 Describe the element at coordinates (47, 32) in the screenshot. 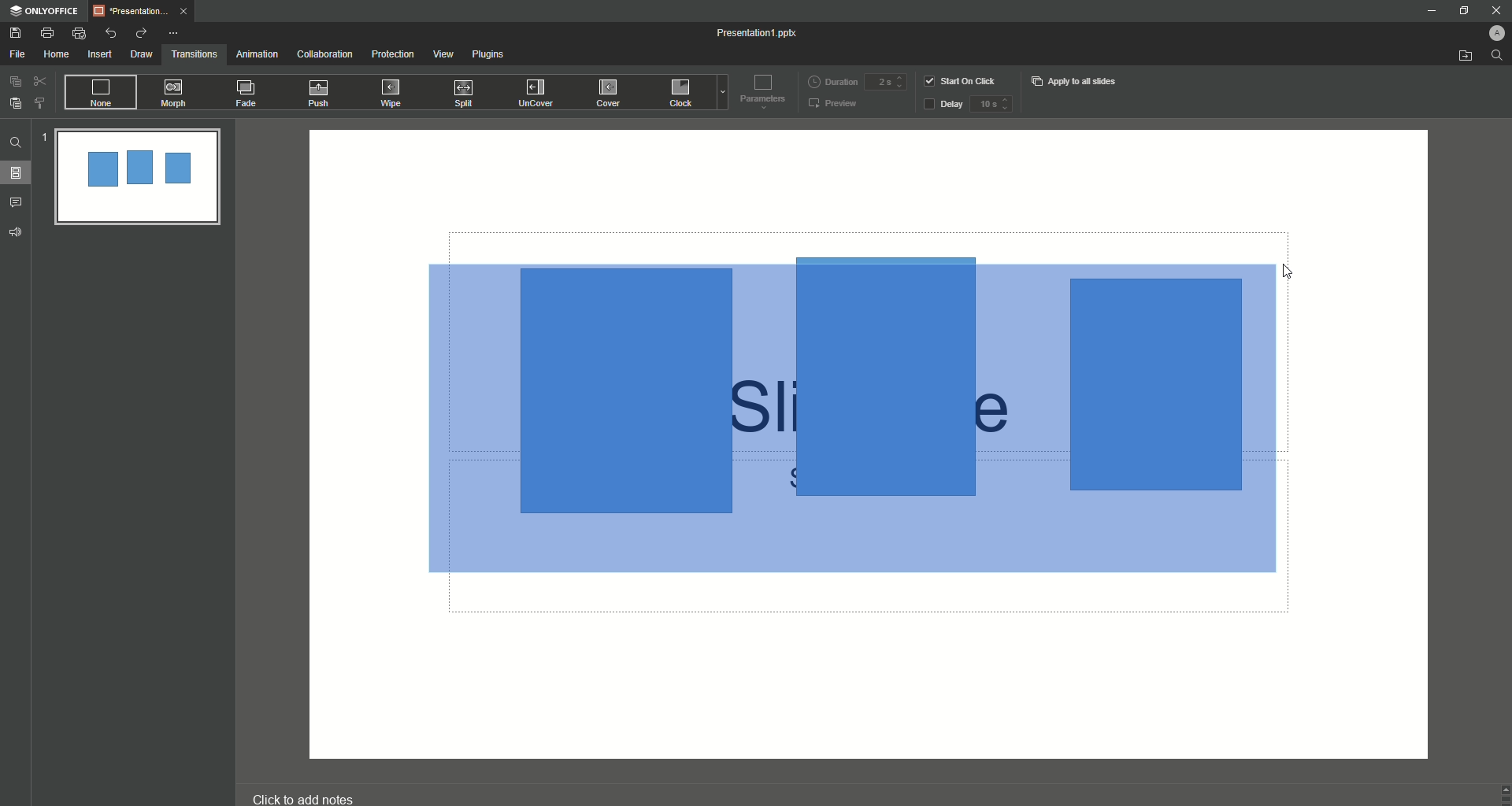

I see `Print` at that location.